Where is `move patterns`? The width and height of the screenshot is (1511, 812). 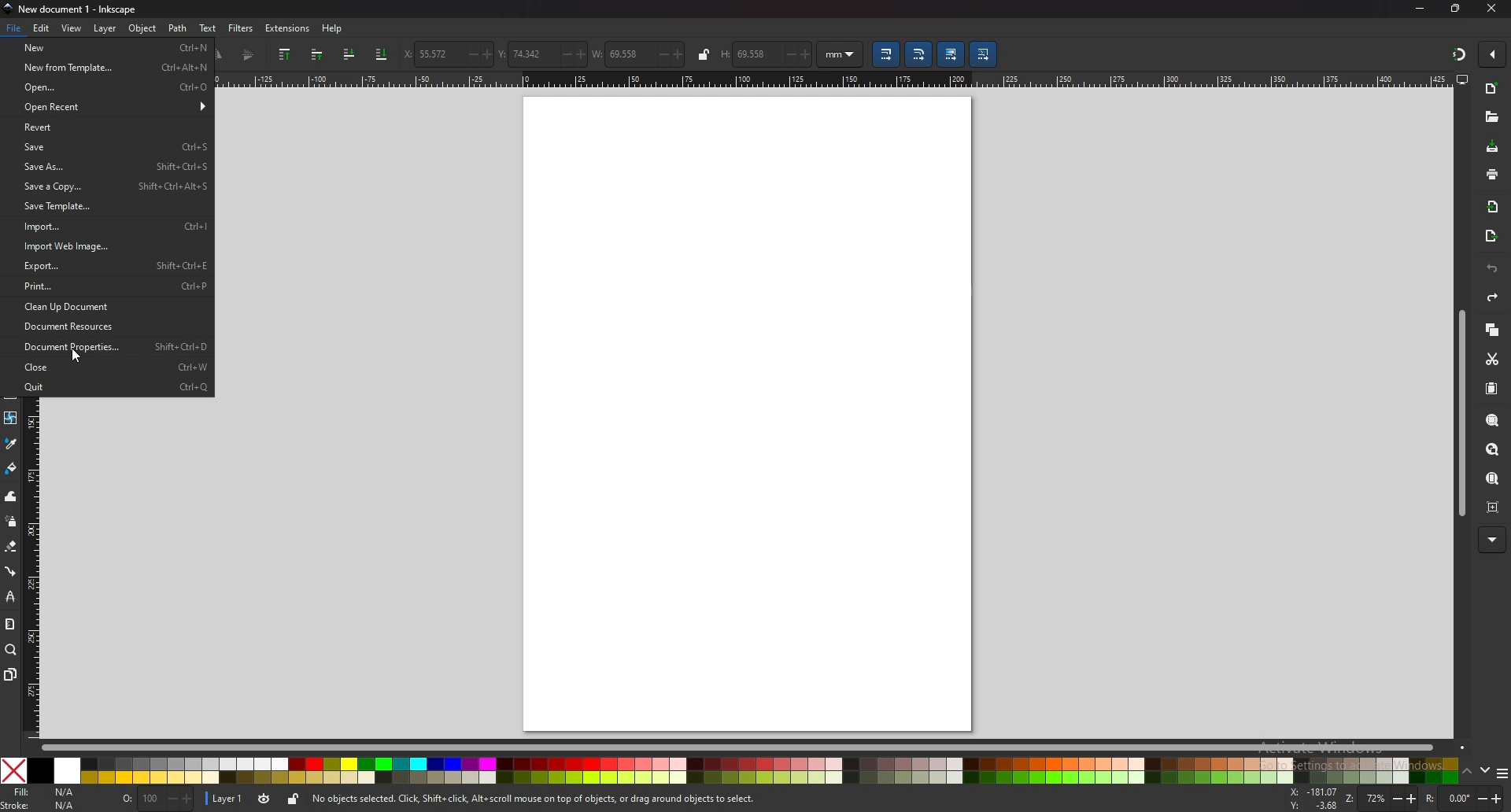
move patterns is located at coordinates (985, 54).